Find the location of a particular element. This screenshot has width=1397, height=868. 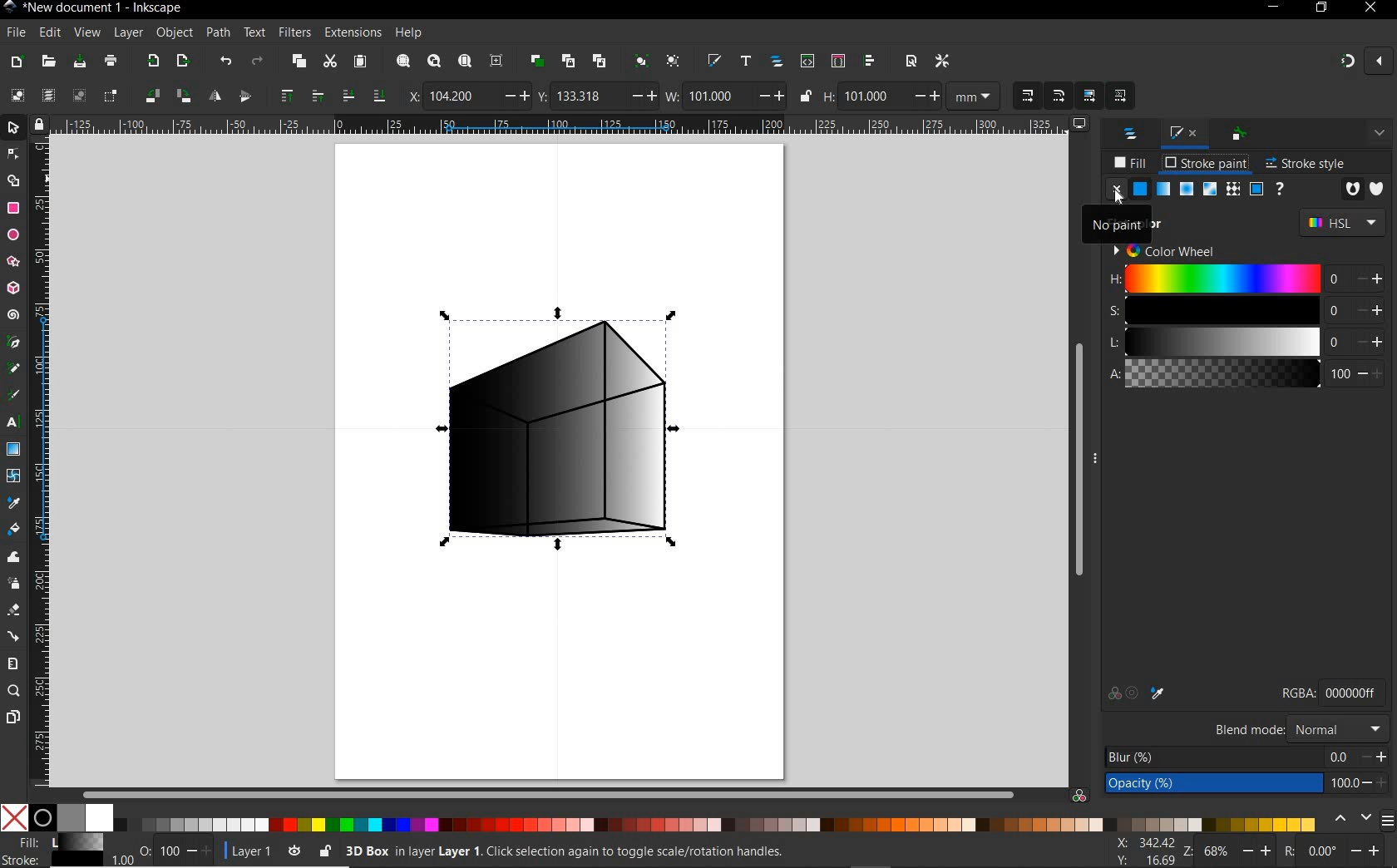

increase/decrease is located at coordinates (642, 96).